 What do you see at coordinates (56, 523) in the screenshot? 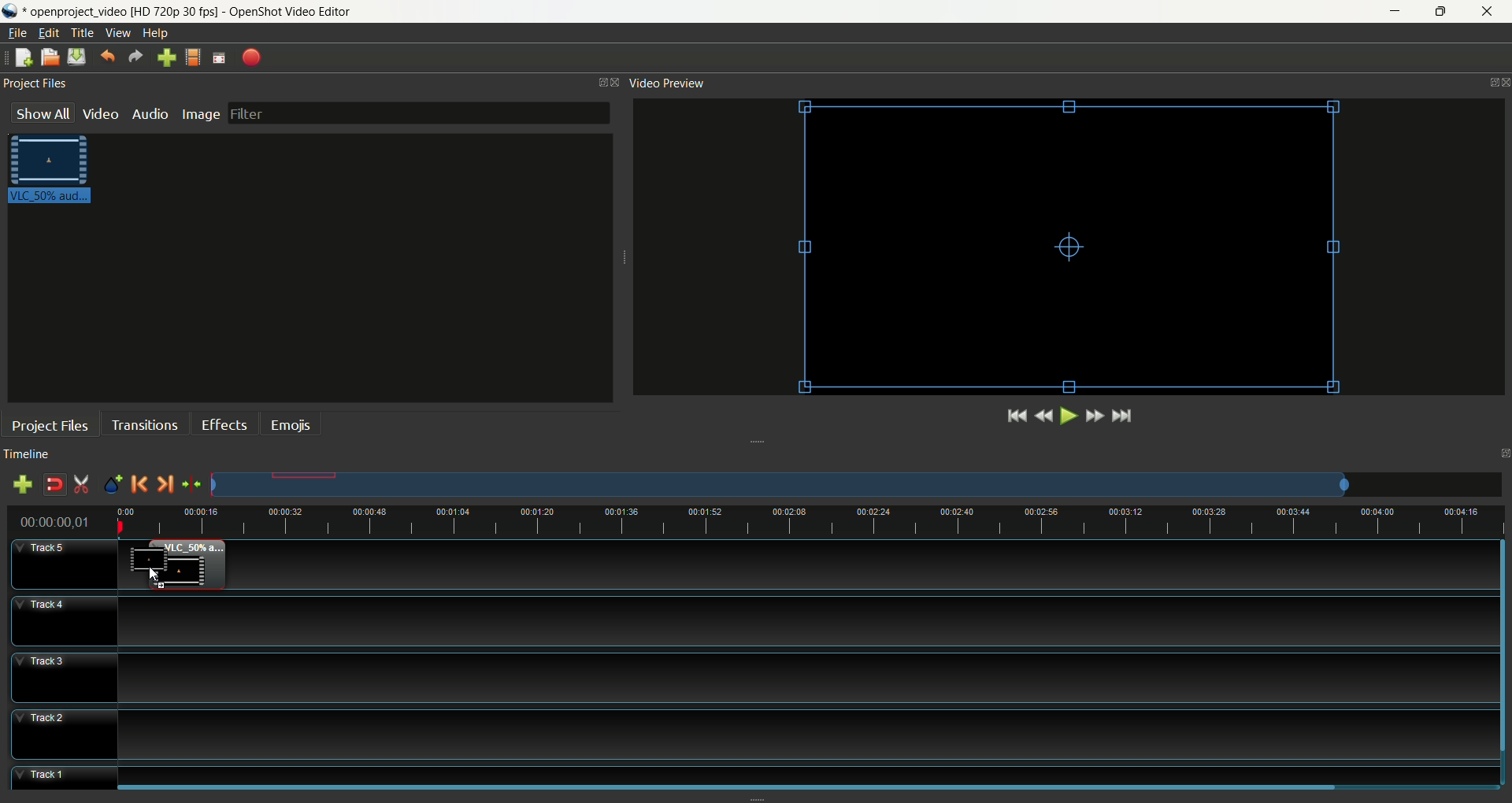
I see `time` at bounding box center [56, 523].